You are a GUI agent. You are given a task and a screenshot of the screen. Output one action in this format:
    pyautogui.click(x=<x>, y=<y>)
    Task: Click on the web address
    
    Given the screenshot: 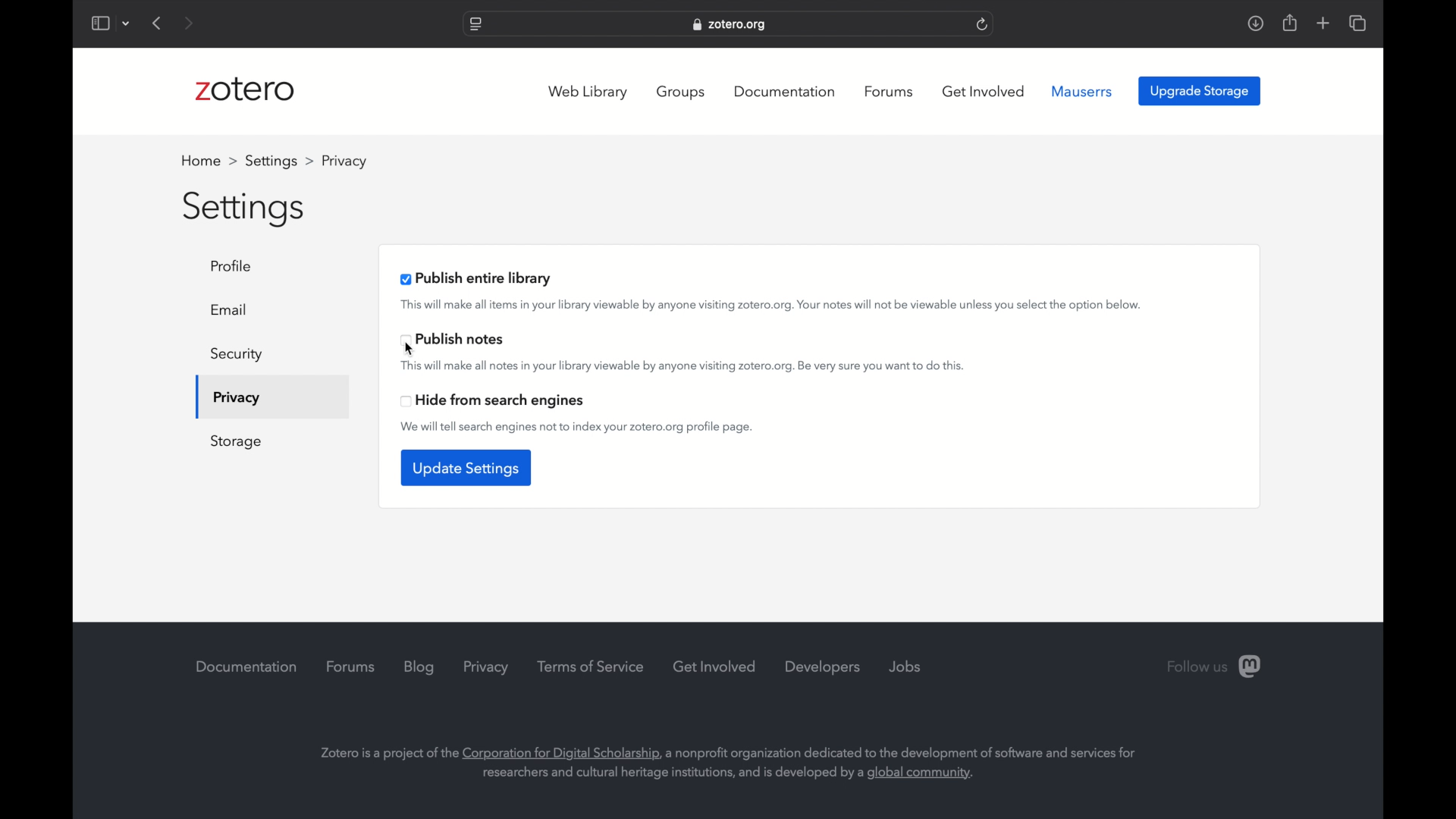 What is the action you would take?
    pyautogui.click(x=731, y=24)
    